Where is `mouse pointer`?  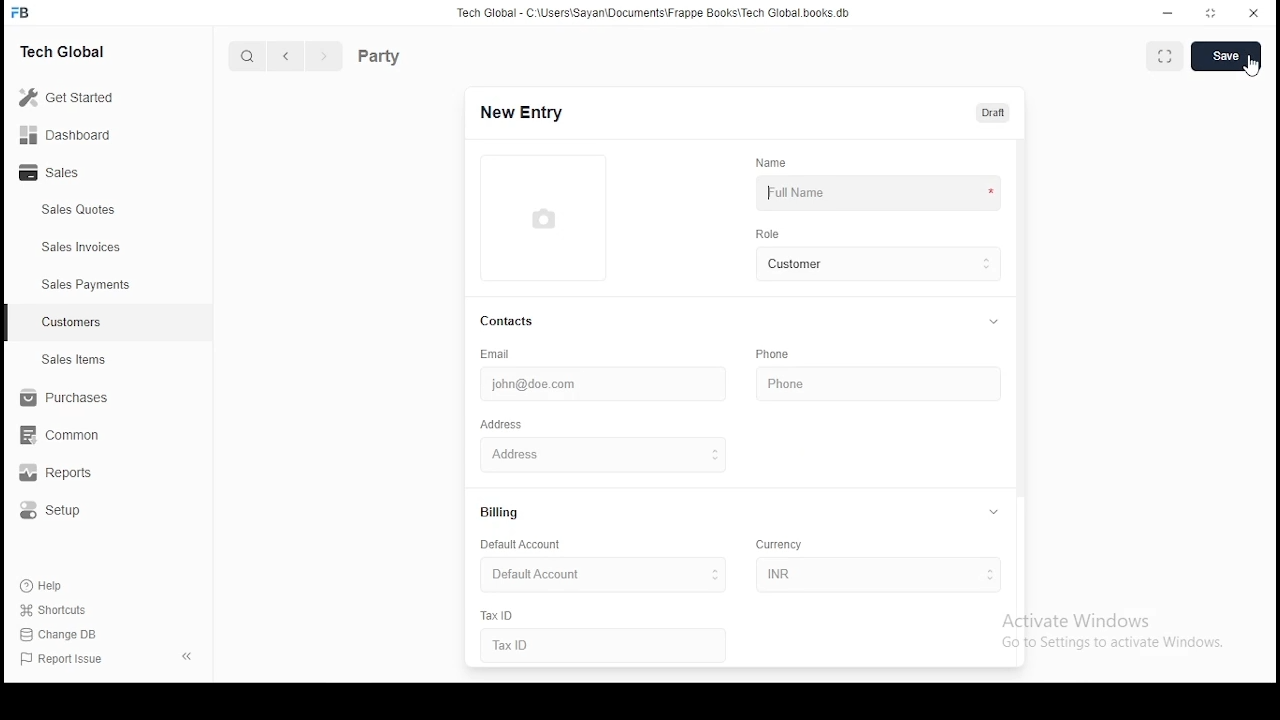 mouse pointer is located at coordinates (1250, 68).